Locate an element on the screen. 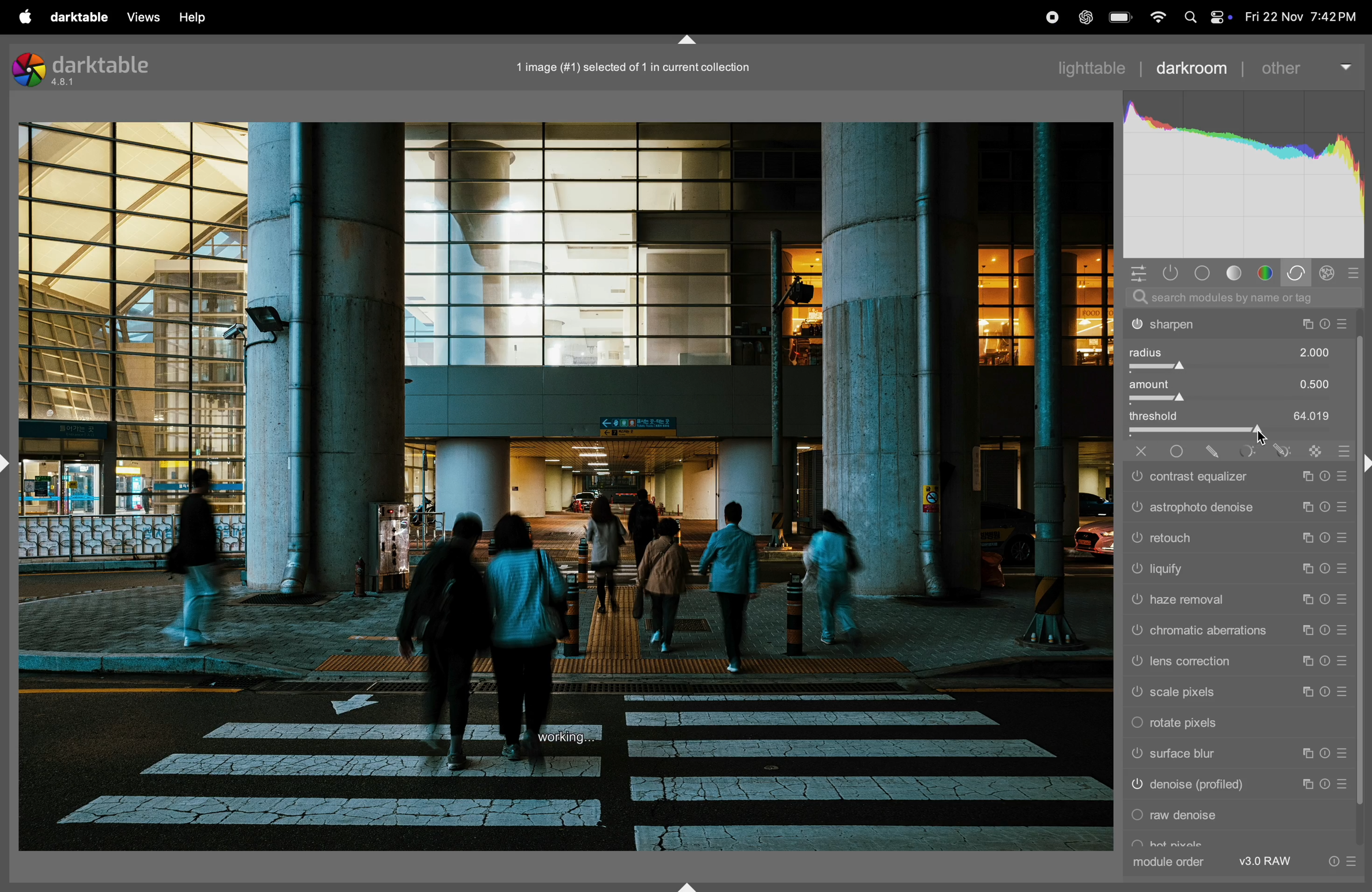  1 image is located at coordinates (640, 65).